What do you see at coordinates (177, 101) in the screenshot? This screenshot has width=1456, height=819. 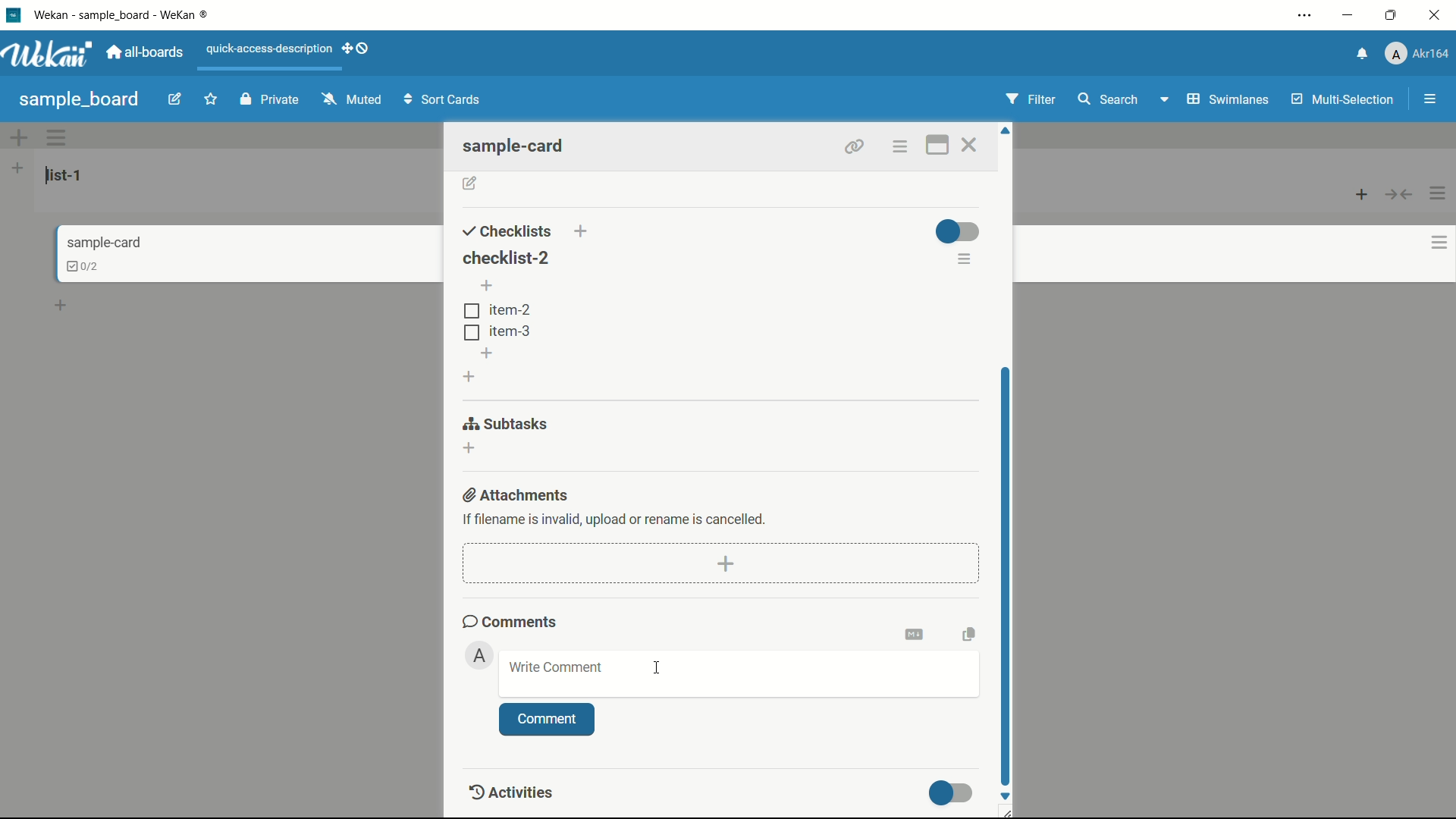 I see `edit` at bounding box center [177, 101].